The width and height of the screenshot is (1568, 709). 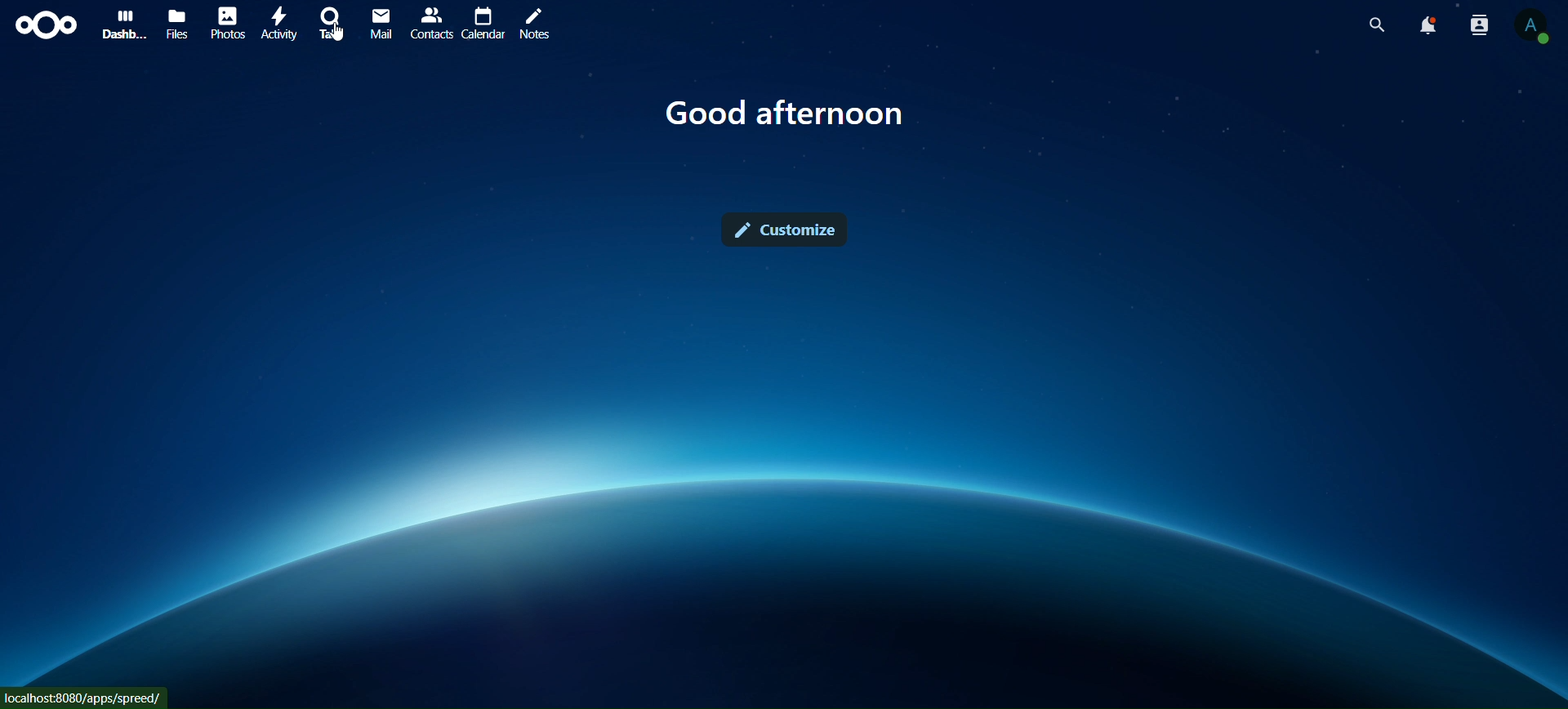 What do you see at coordinates (226, 20) in the screenshot?
I see `photos` at bounding box center [226, 20].